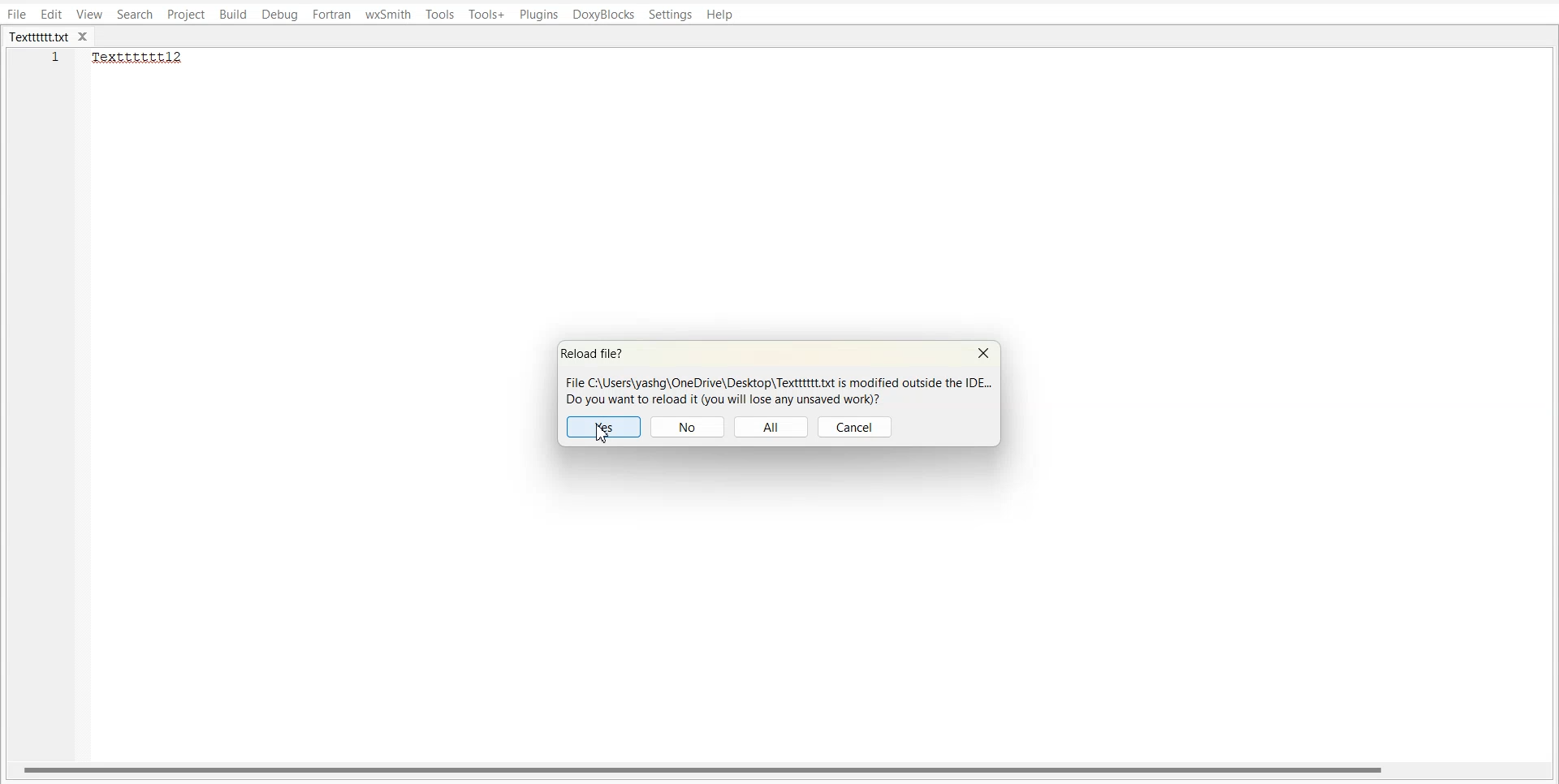  Describe the element at coordinates (90, 14) in the screenshot. I see `View` at that location.